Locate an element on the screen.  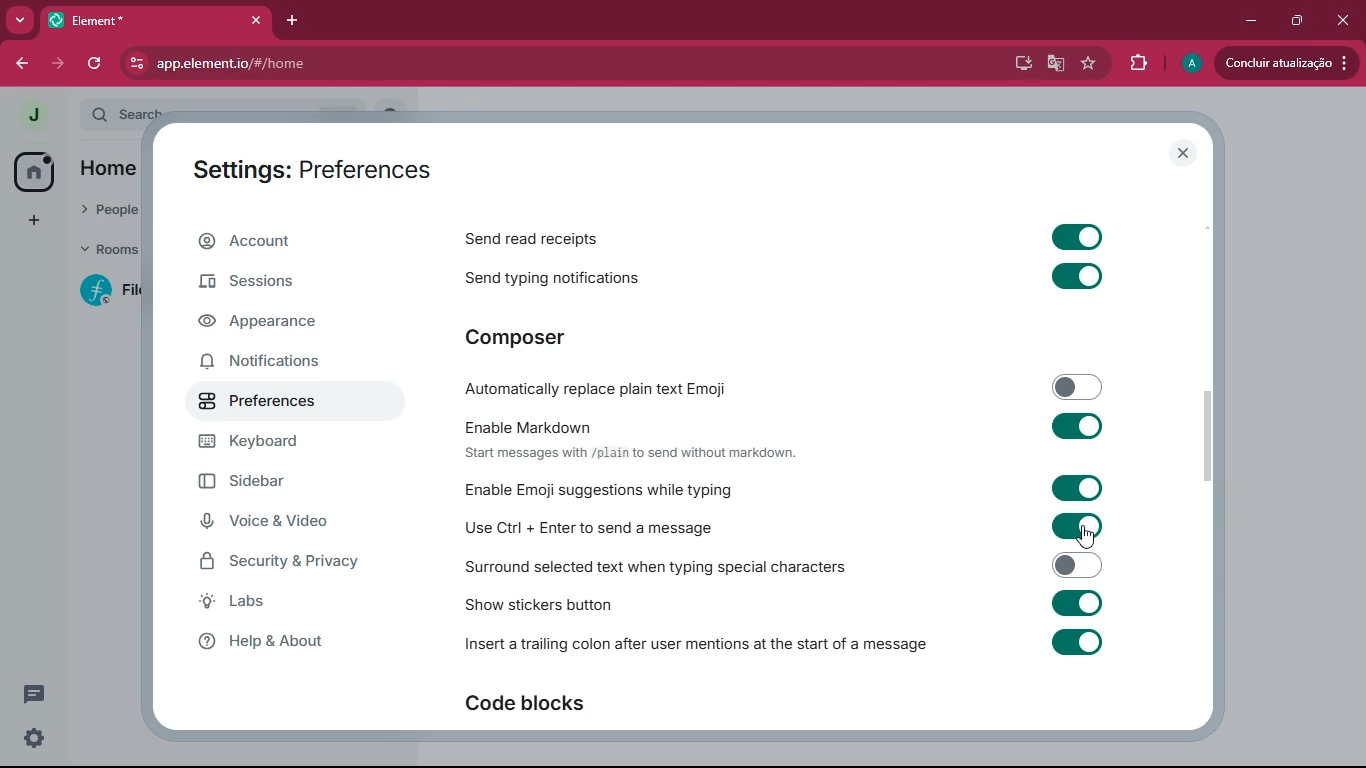
toggle on or off is located at coordinates (1073, 385).